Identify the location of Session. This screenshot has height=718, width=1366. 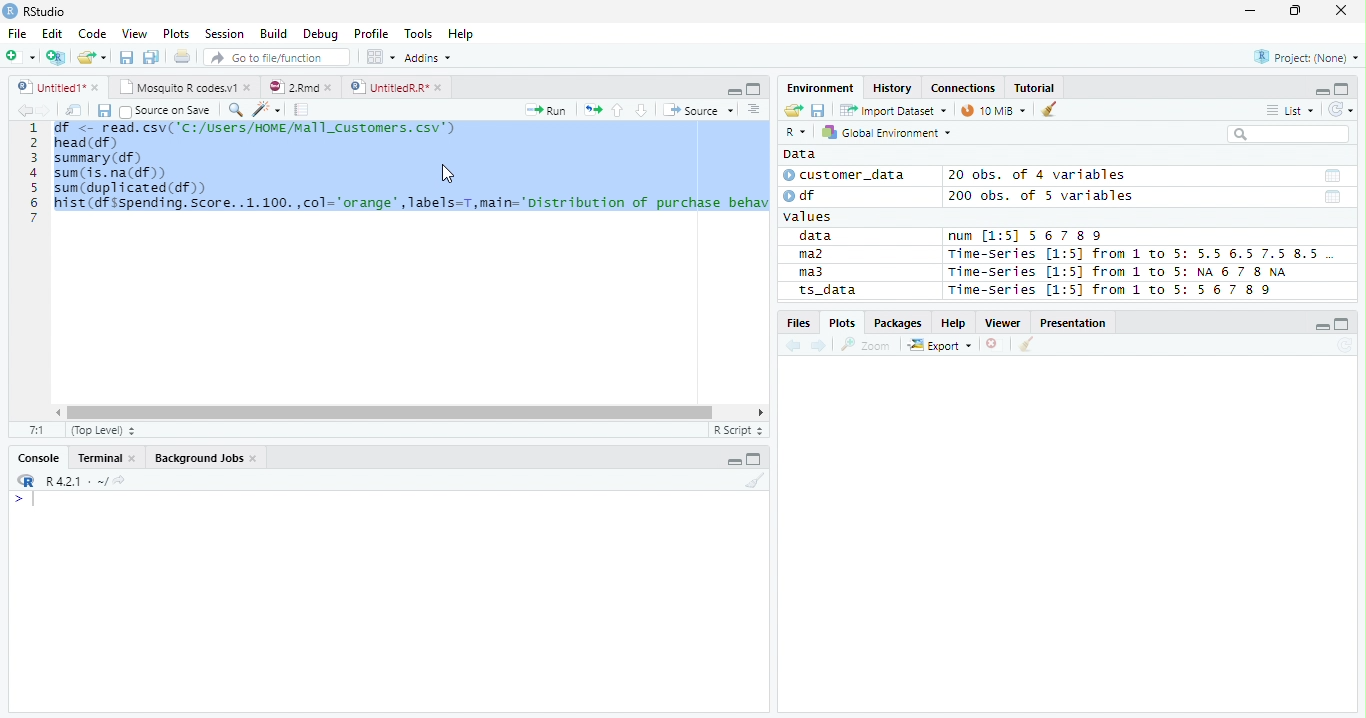
(223, 33).